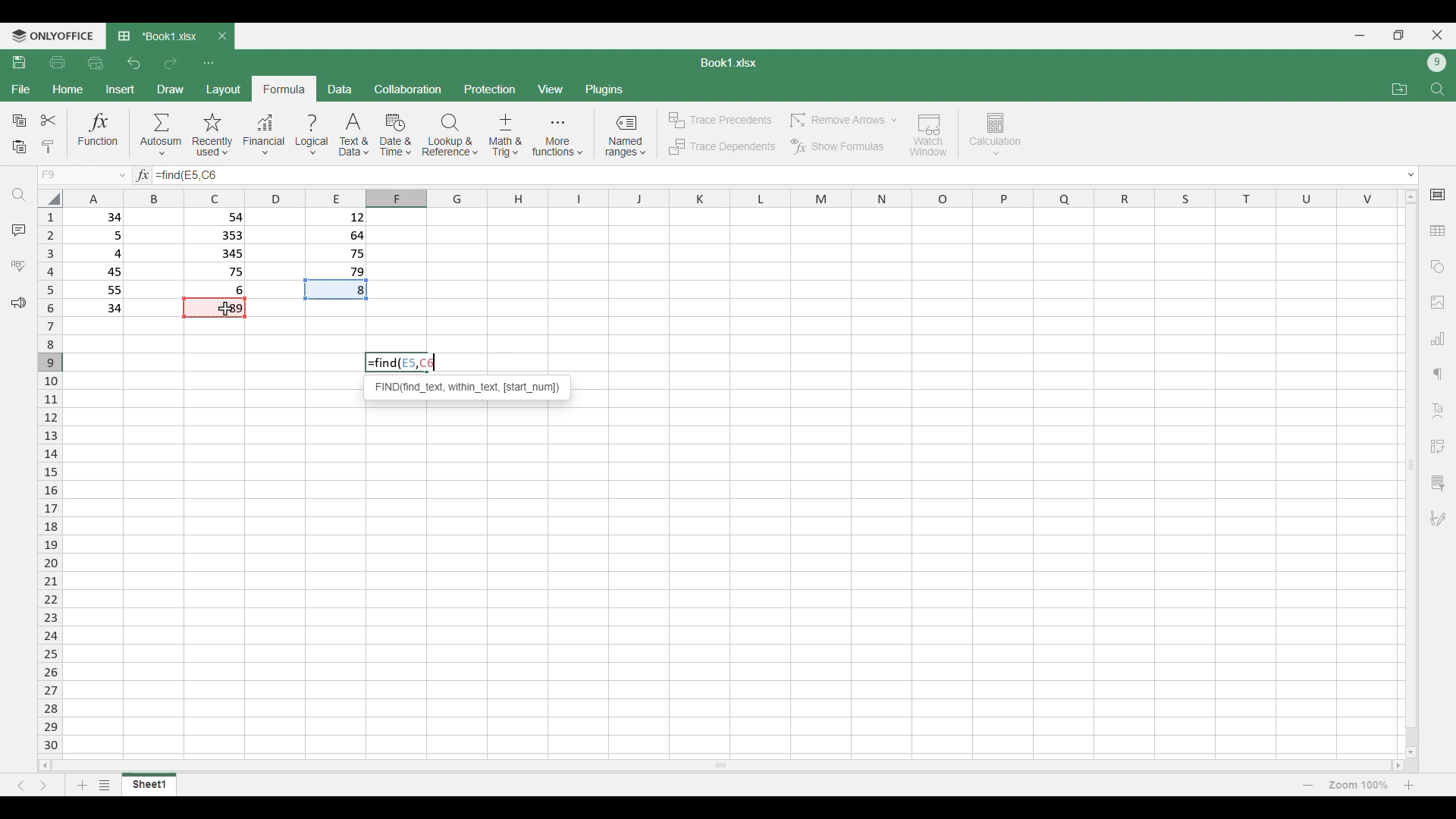 The image size is (1456, 819). Describe the element at coordinates (43, 786) in the screenshot. I see `Next` at that location.